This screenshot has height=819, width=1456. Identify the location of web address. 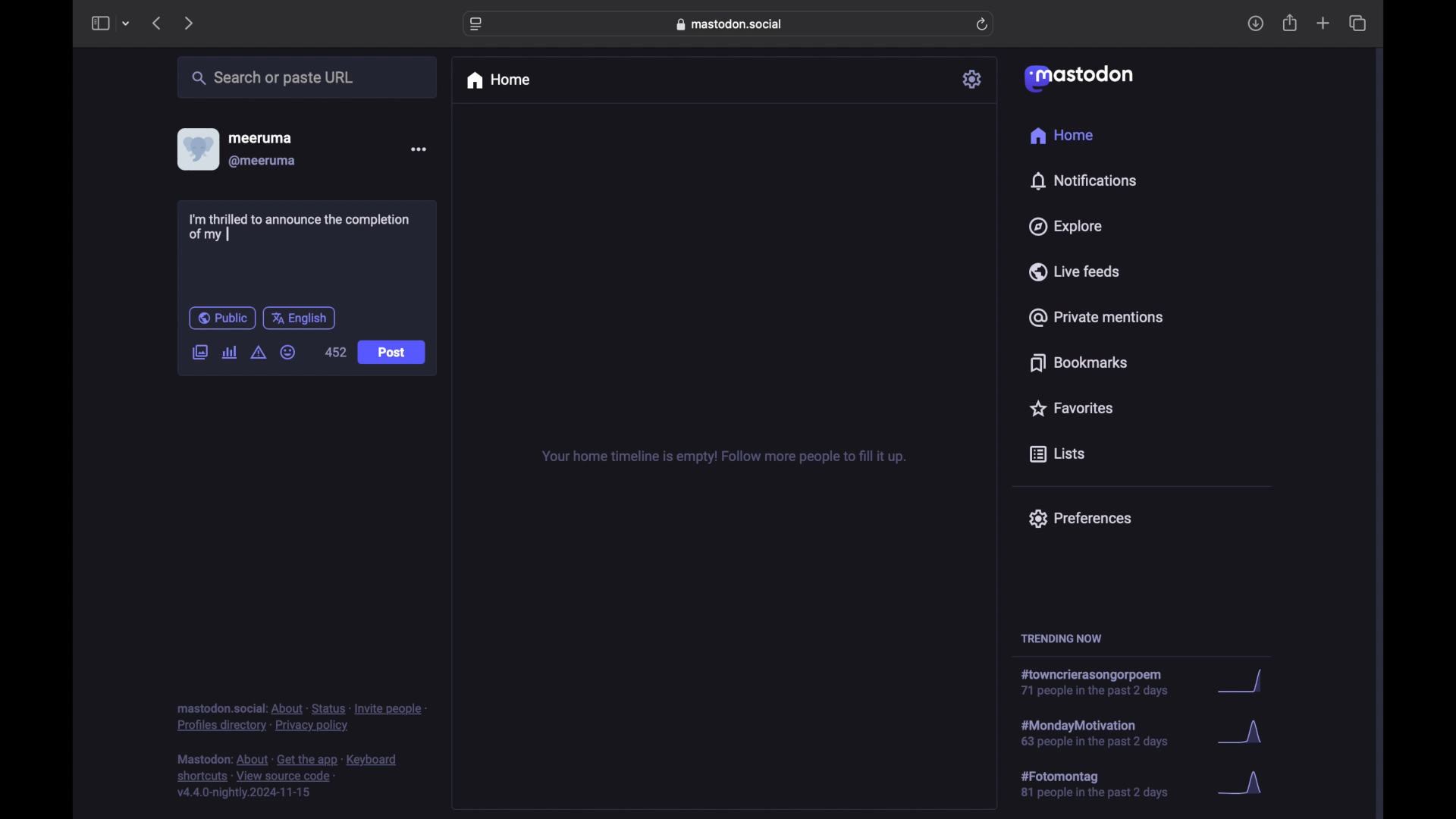
(730, 24).